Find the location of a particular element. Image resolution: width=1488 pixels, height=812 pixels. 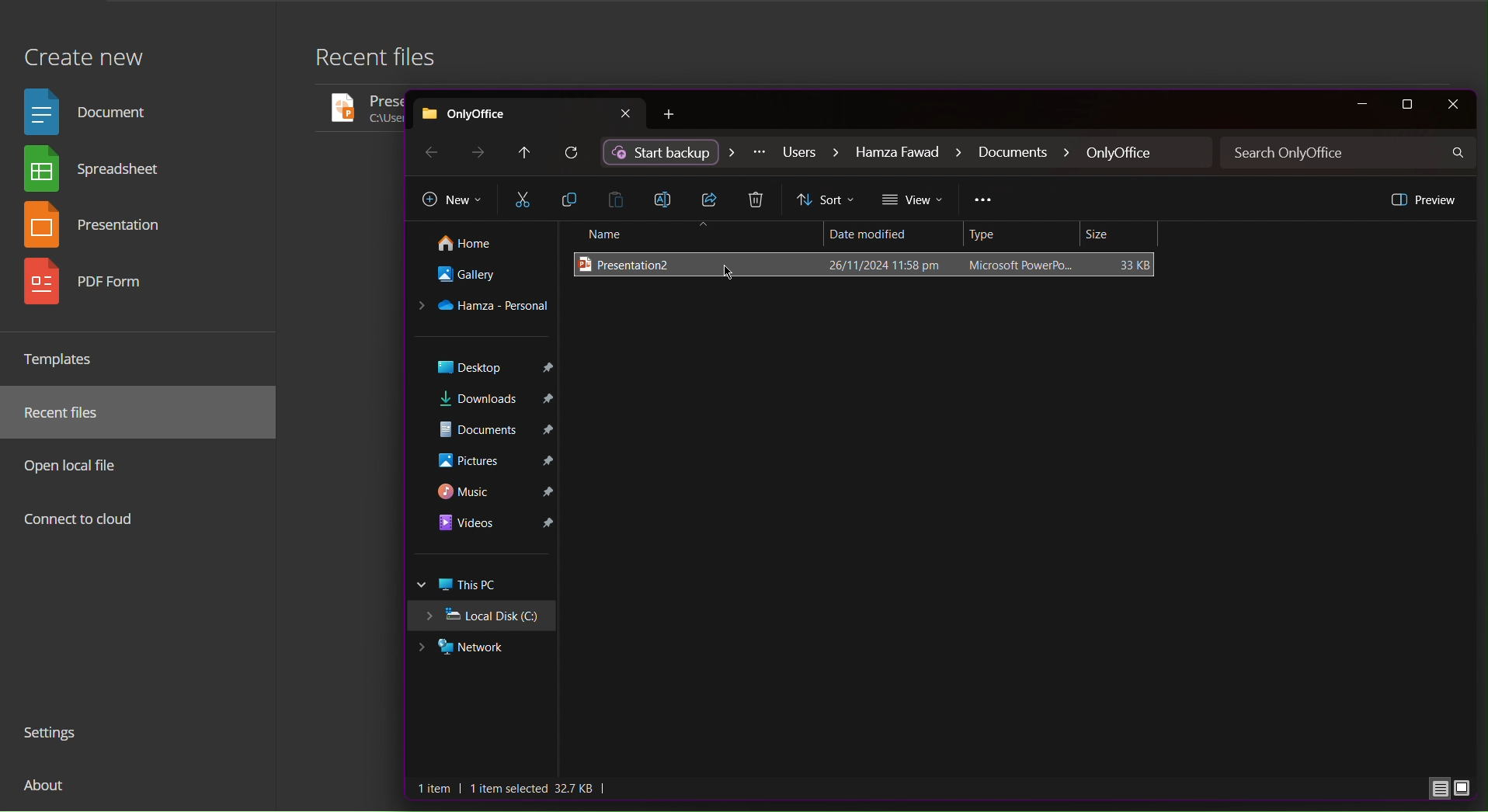

Local Disk is located at coordinates (487, 616).